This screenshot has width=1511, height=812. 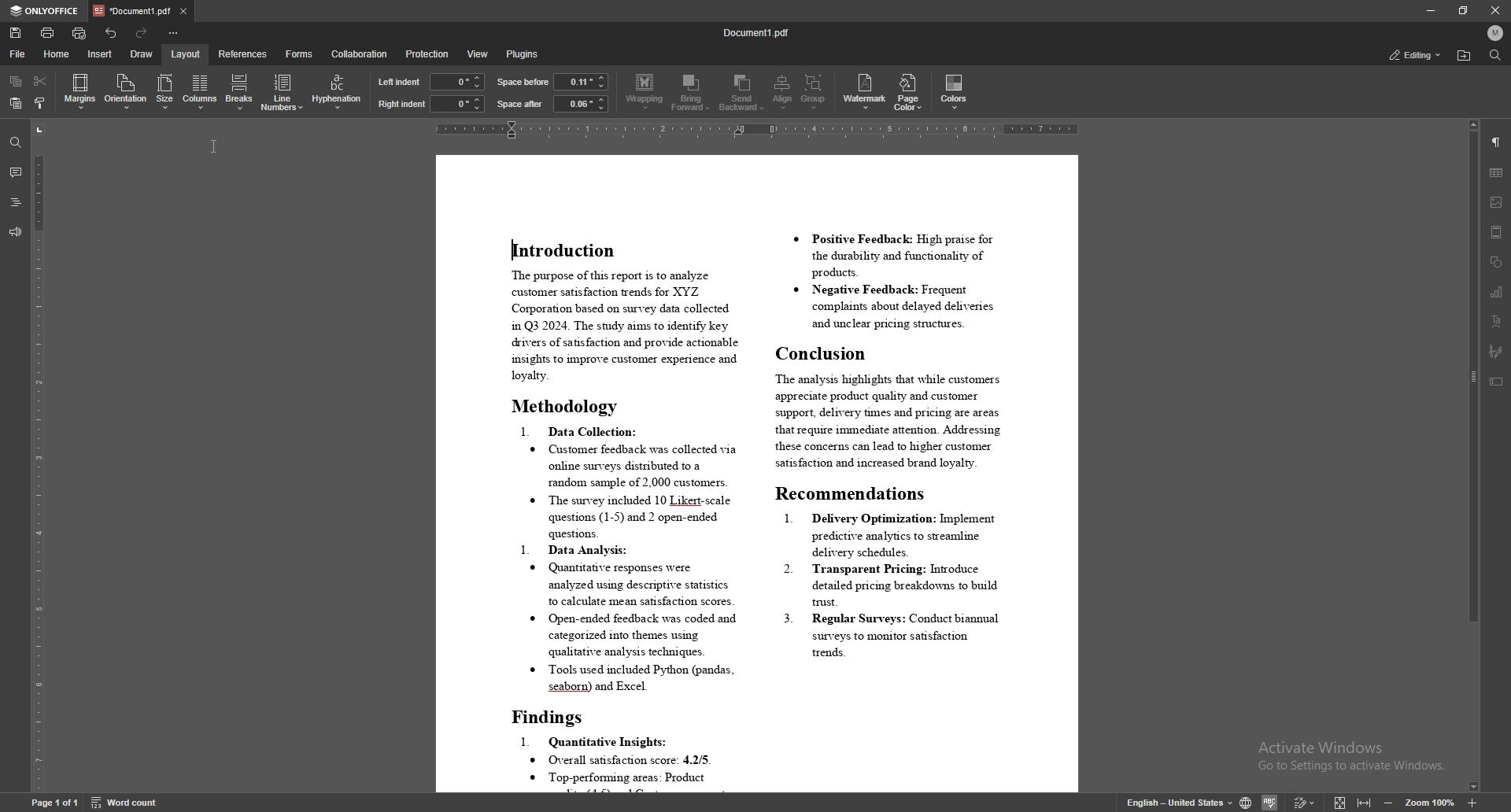 I want to click on file, so click(x=20, y=54).